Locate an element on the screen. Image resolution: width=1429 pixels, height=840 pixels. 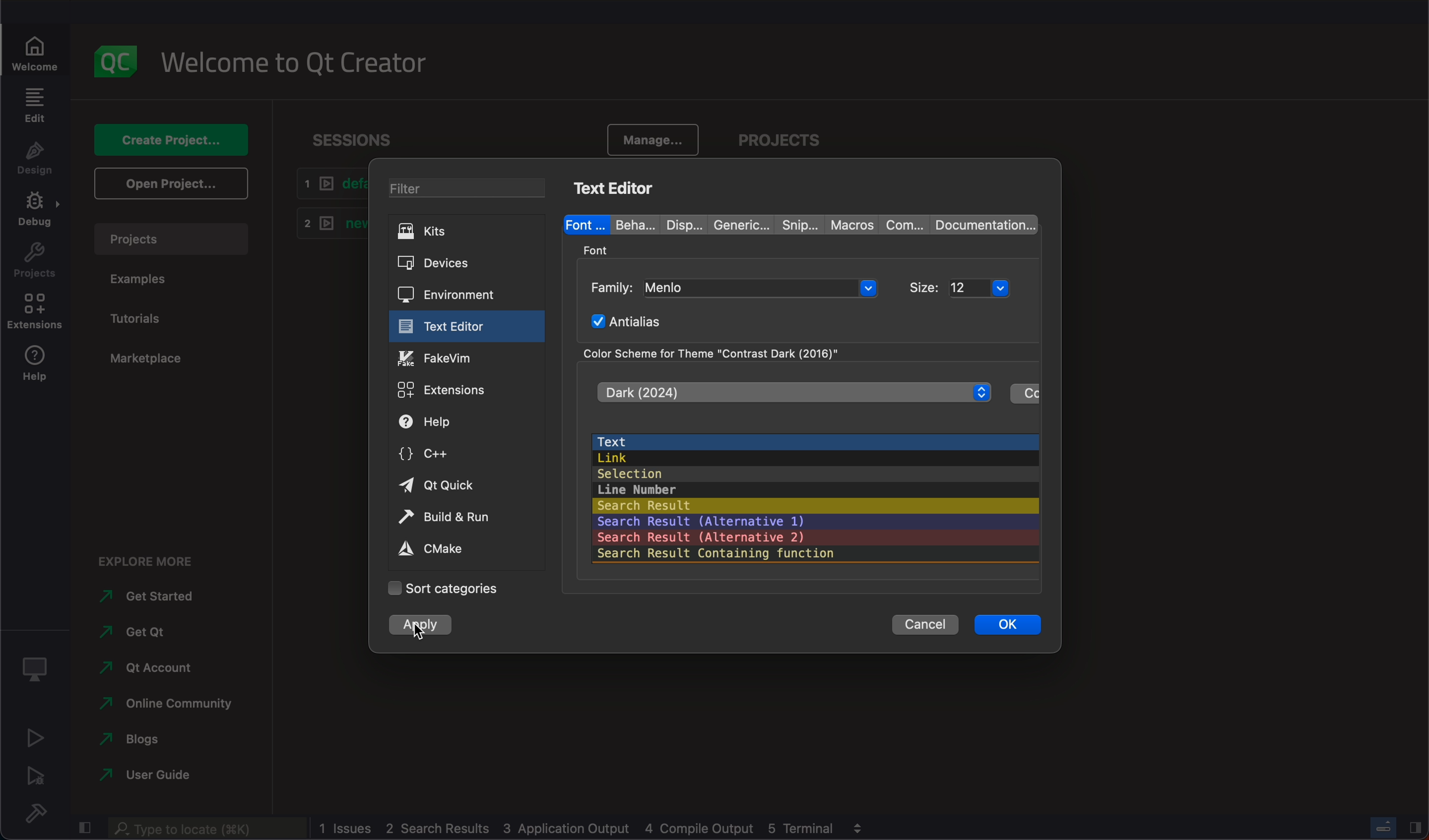
view output is located at coordinates (861, 826).